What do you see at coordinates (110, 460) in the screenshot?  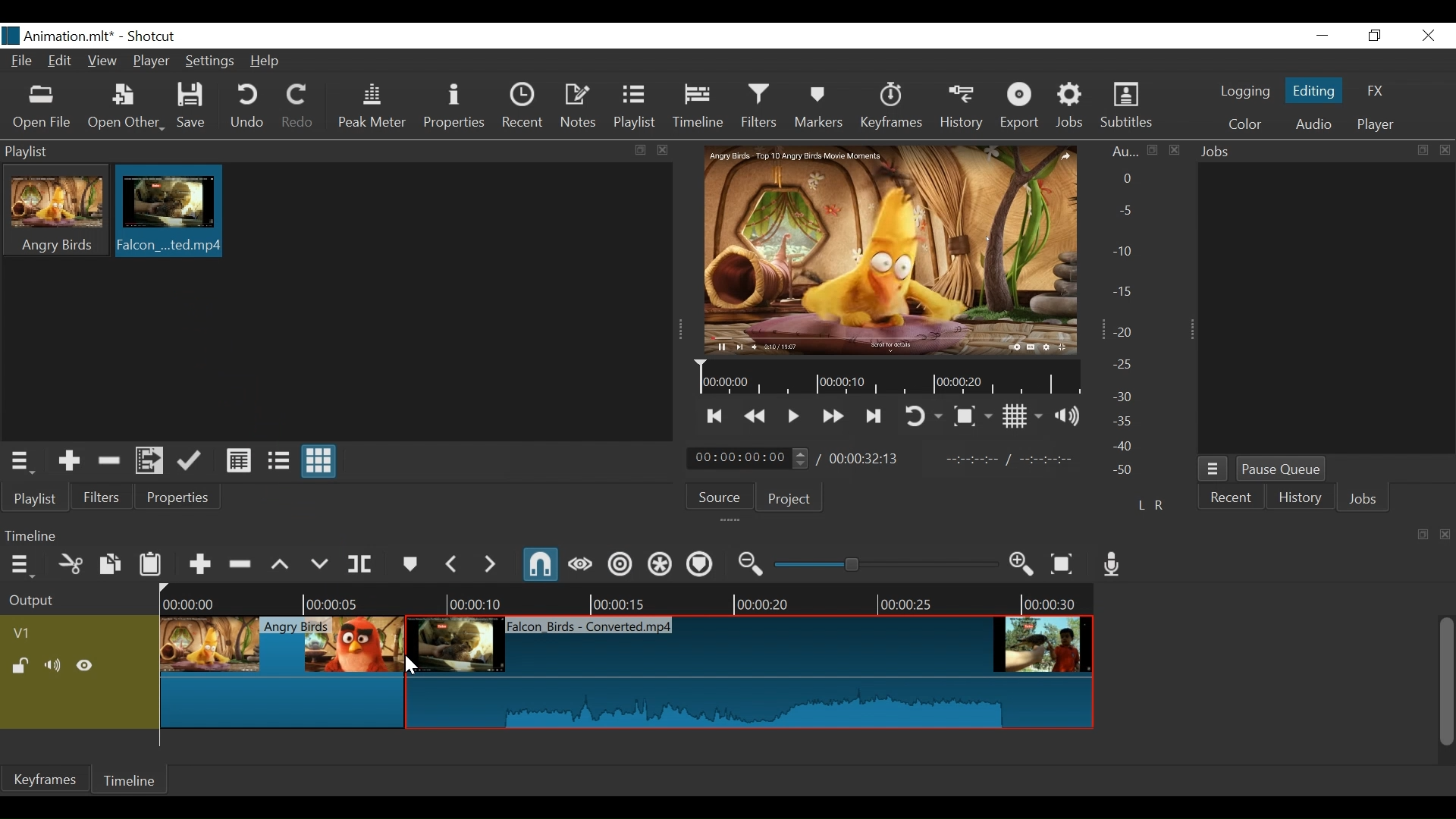 I see `Remove Cut` at bounding box center [110, 460].